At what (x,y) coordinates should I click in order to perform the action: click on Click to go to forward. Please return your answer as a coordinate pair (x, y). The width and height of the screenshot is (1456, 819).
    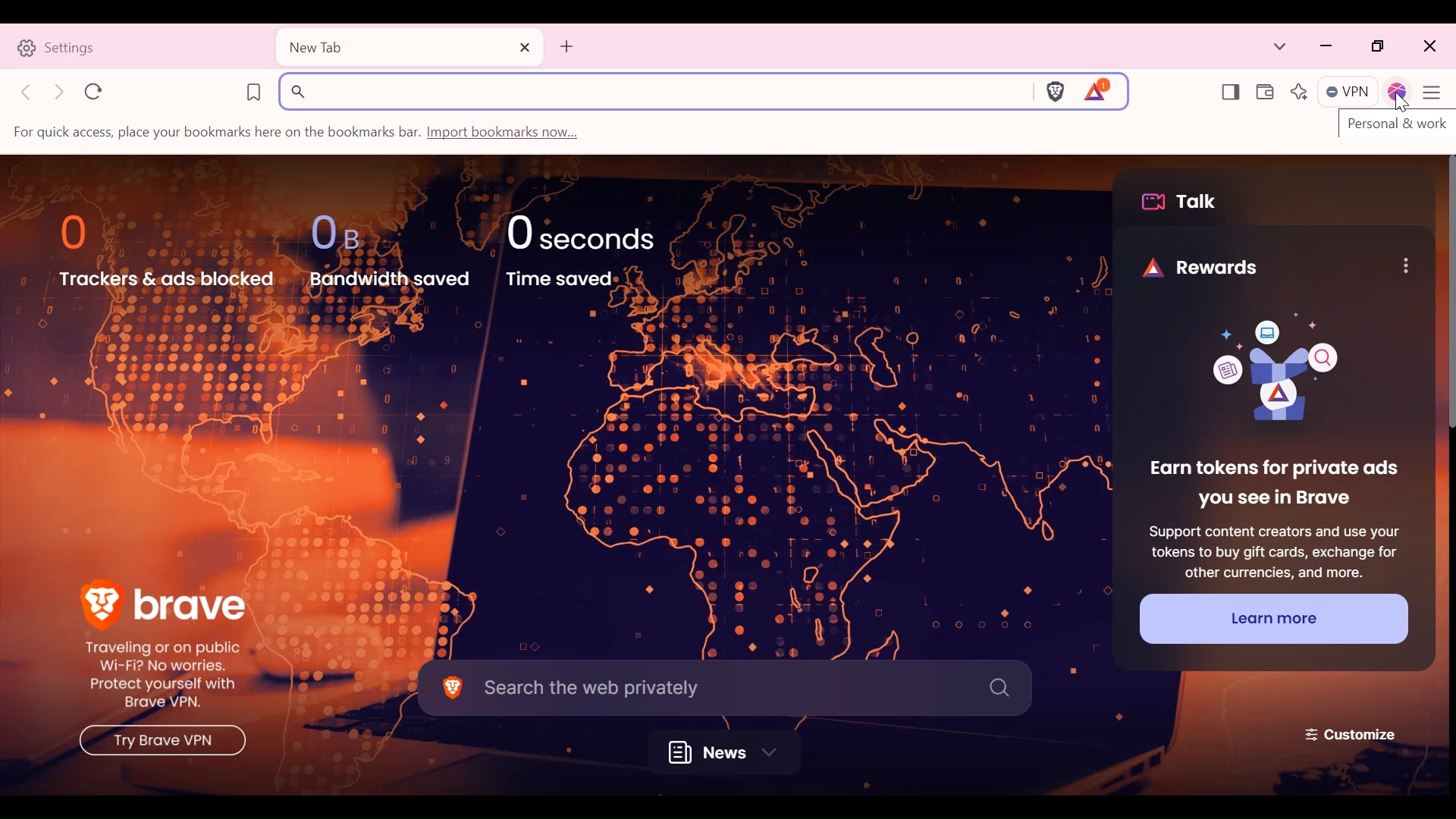
    Looking at the image, I should click on (61, 92).